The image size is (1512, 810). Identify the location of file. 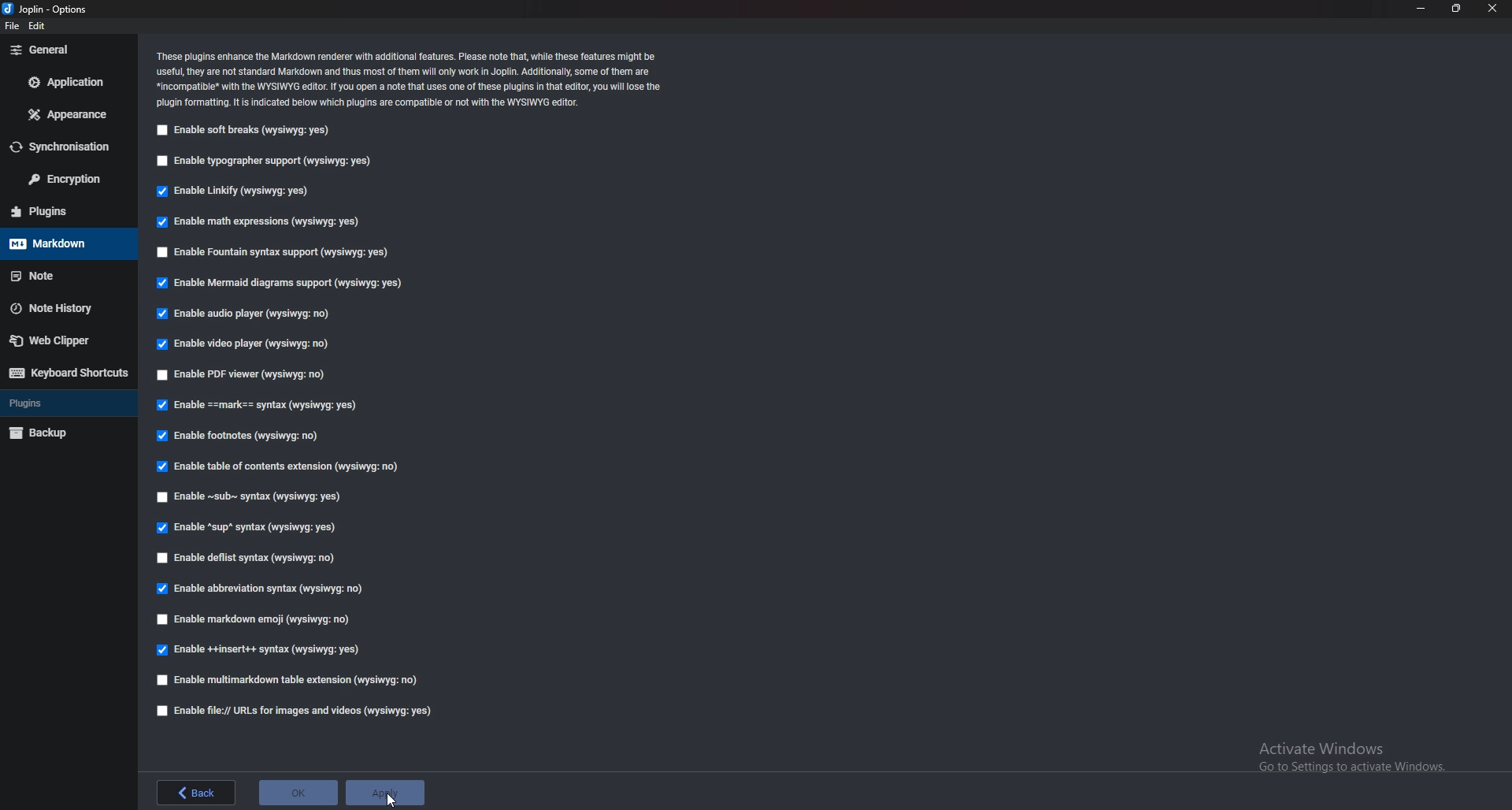
(14, 26).